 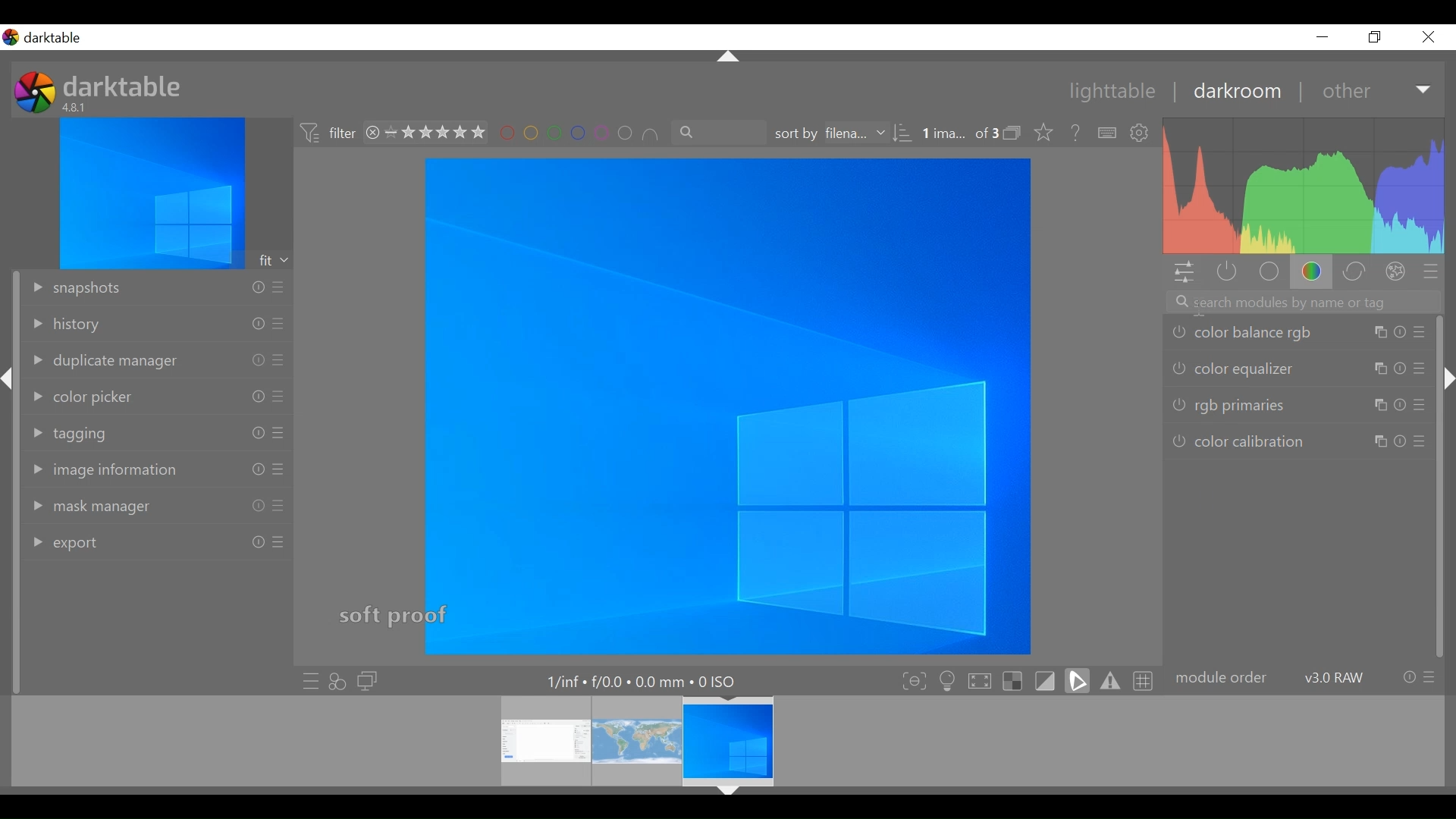 I want to click on Collapse , so click(x=728, y=792).